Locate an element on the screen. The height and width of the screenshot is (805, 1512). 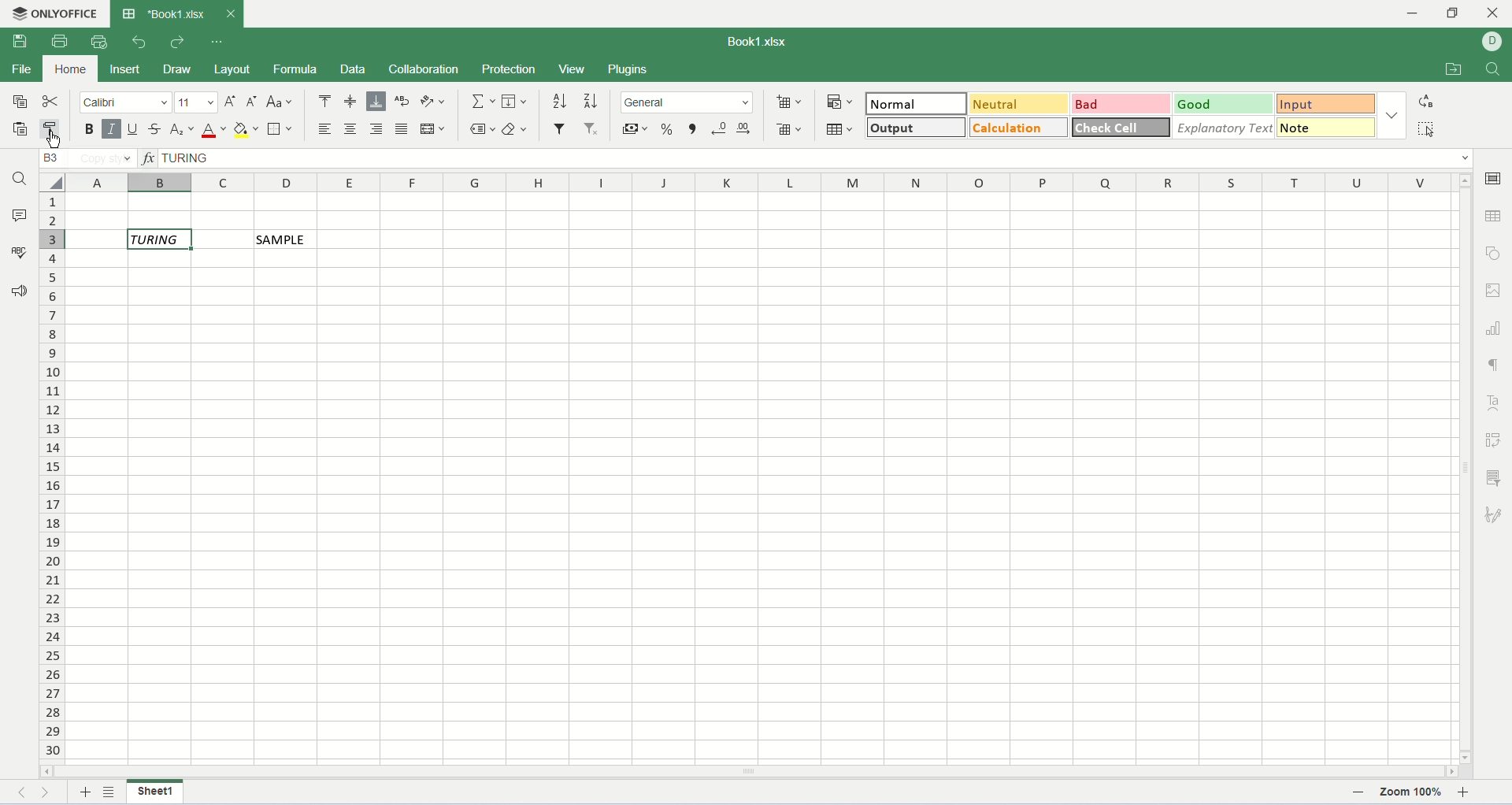
image settings is located at coordinates (1495, 288).